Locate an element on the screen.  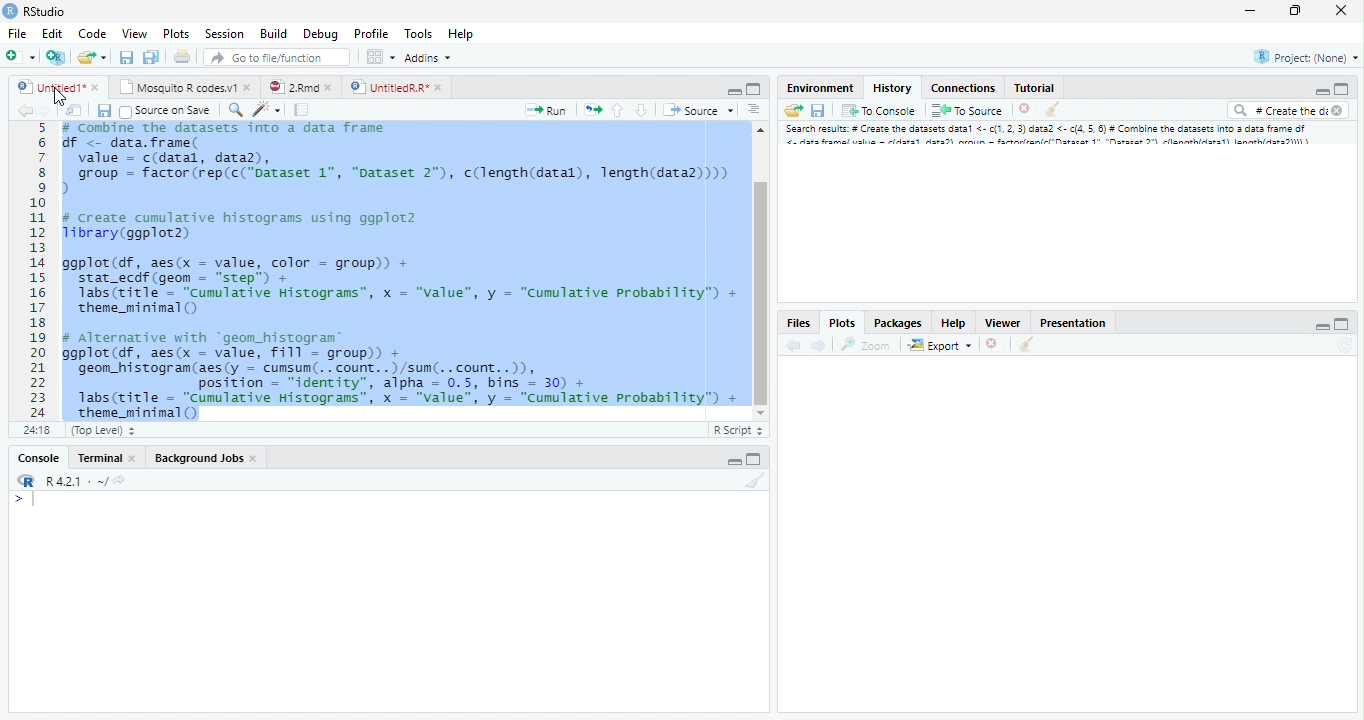
Delete  is located at coordinates (992, 342).